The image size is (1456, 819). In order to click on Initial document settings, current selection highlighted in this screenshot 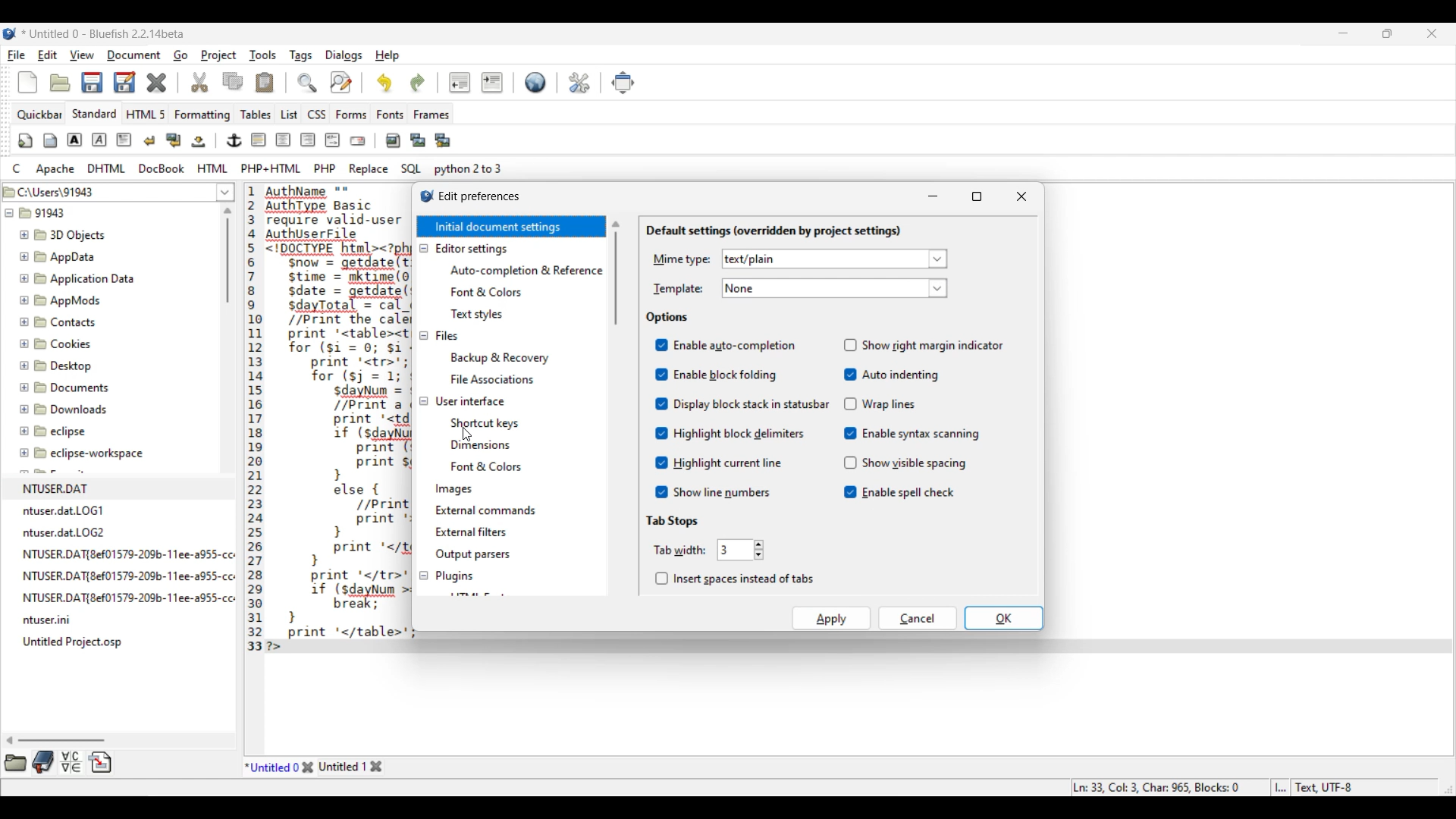, I will do `click(510, 227)`.